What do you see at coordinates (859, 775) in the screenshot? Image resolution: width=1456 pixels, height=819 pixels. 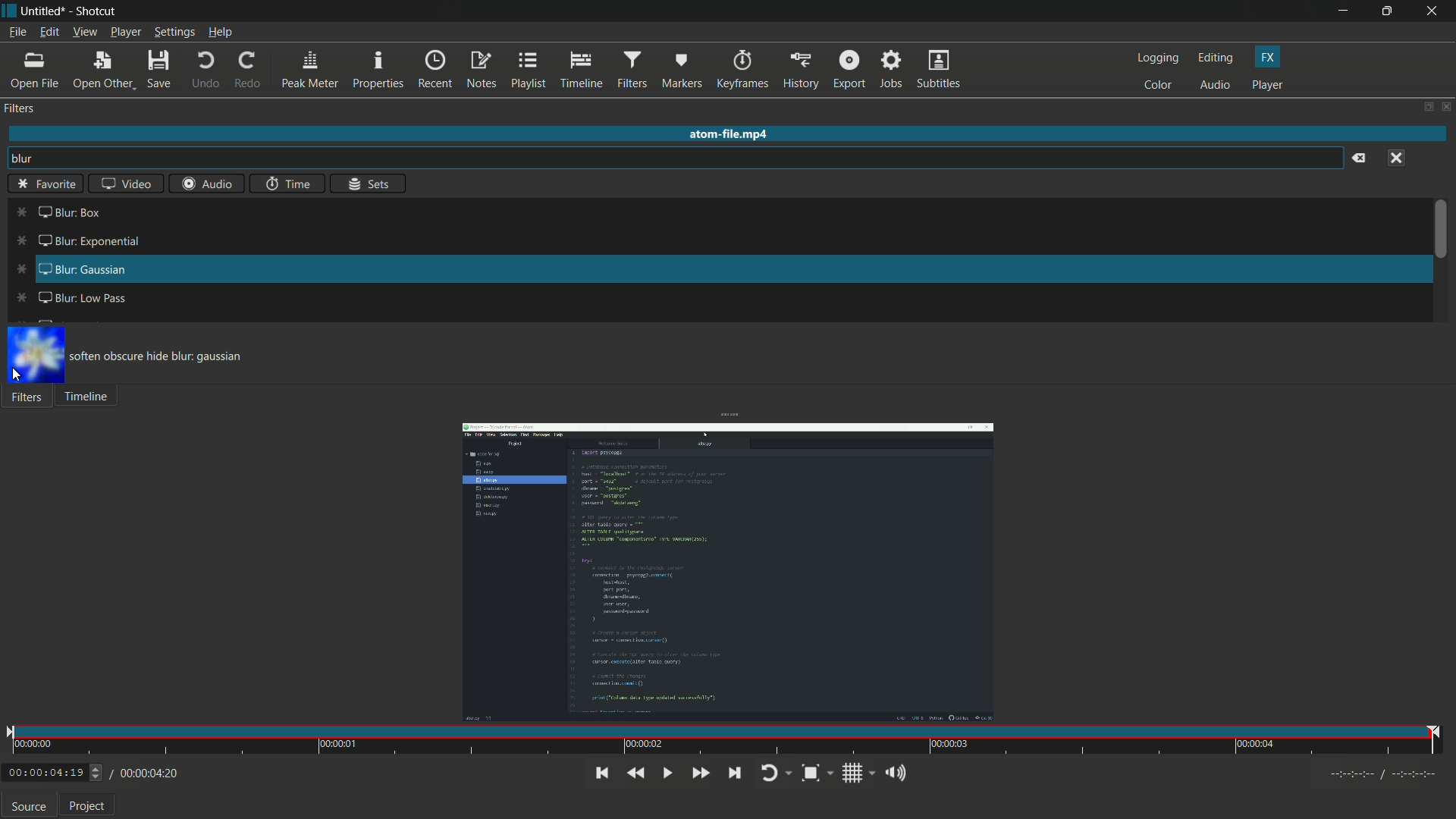 I see `toggle grid display` at bounding box center [859, 775].